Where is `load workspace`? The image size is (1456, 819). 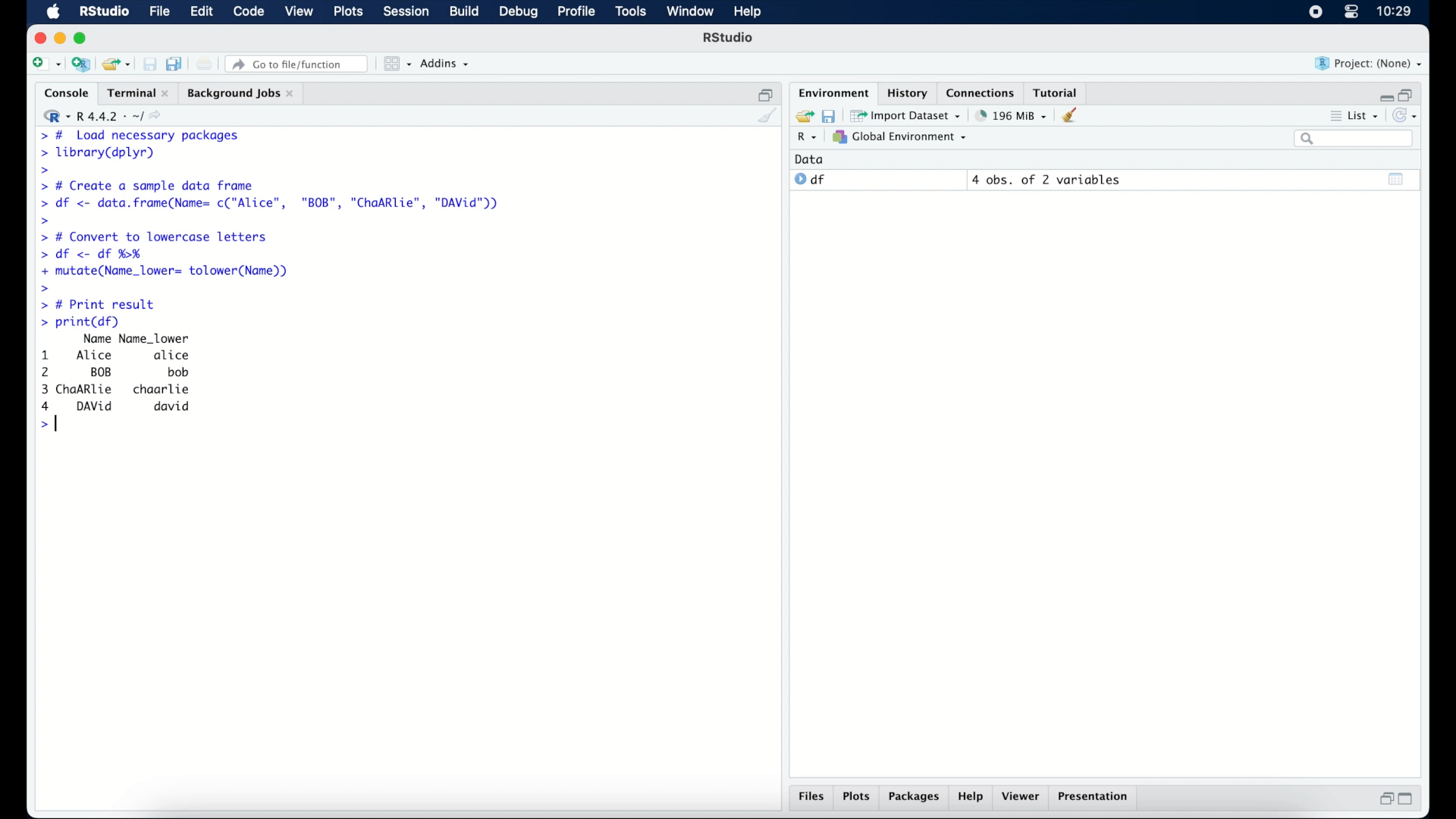
load workspace is located at coordinates (802, 115).